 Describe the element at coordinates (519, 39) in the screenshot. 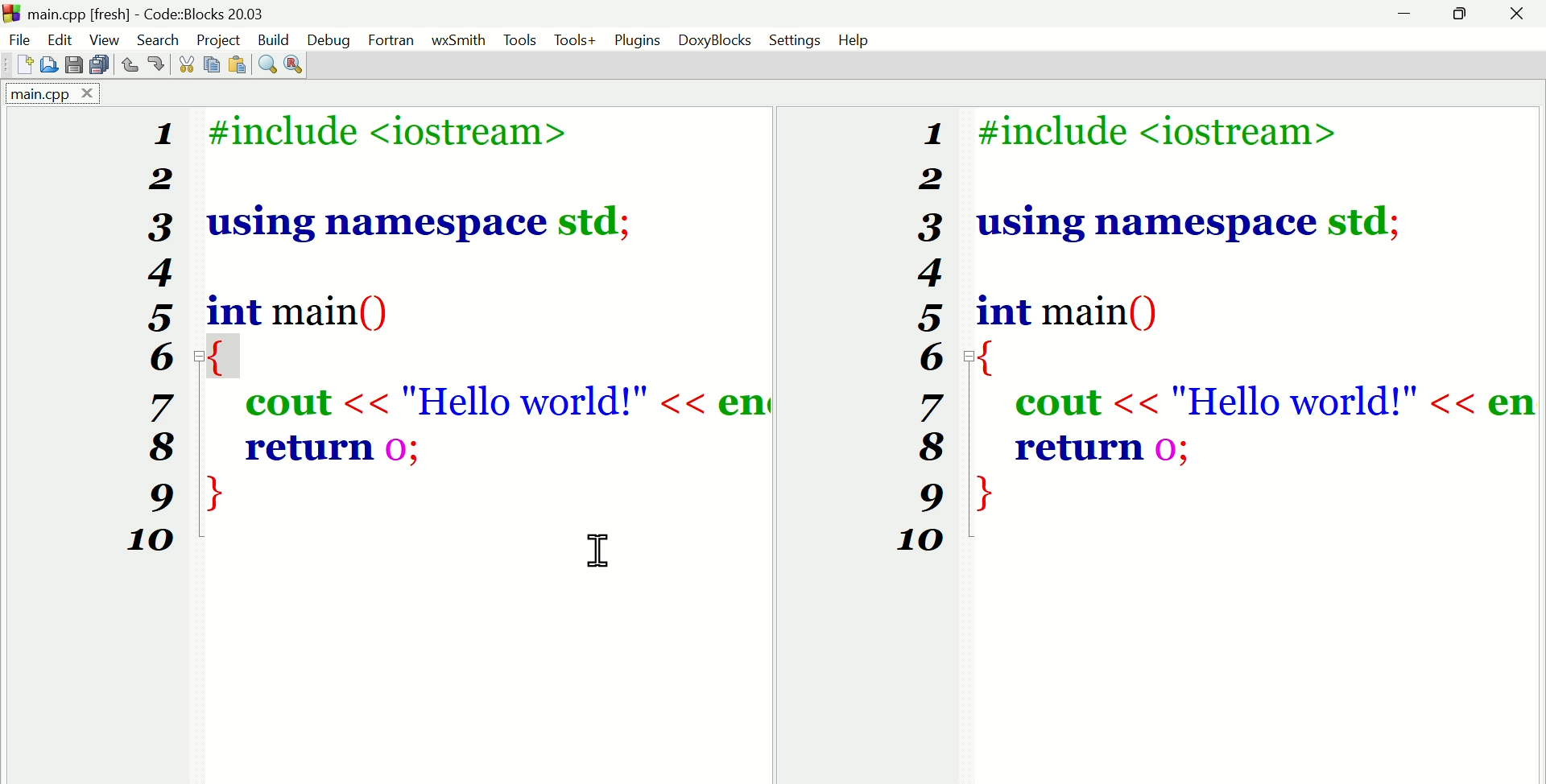

I see `tools` at that location.